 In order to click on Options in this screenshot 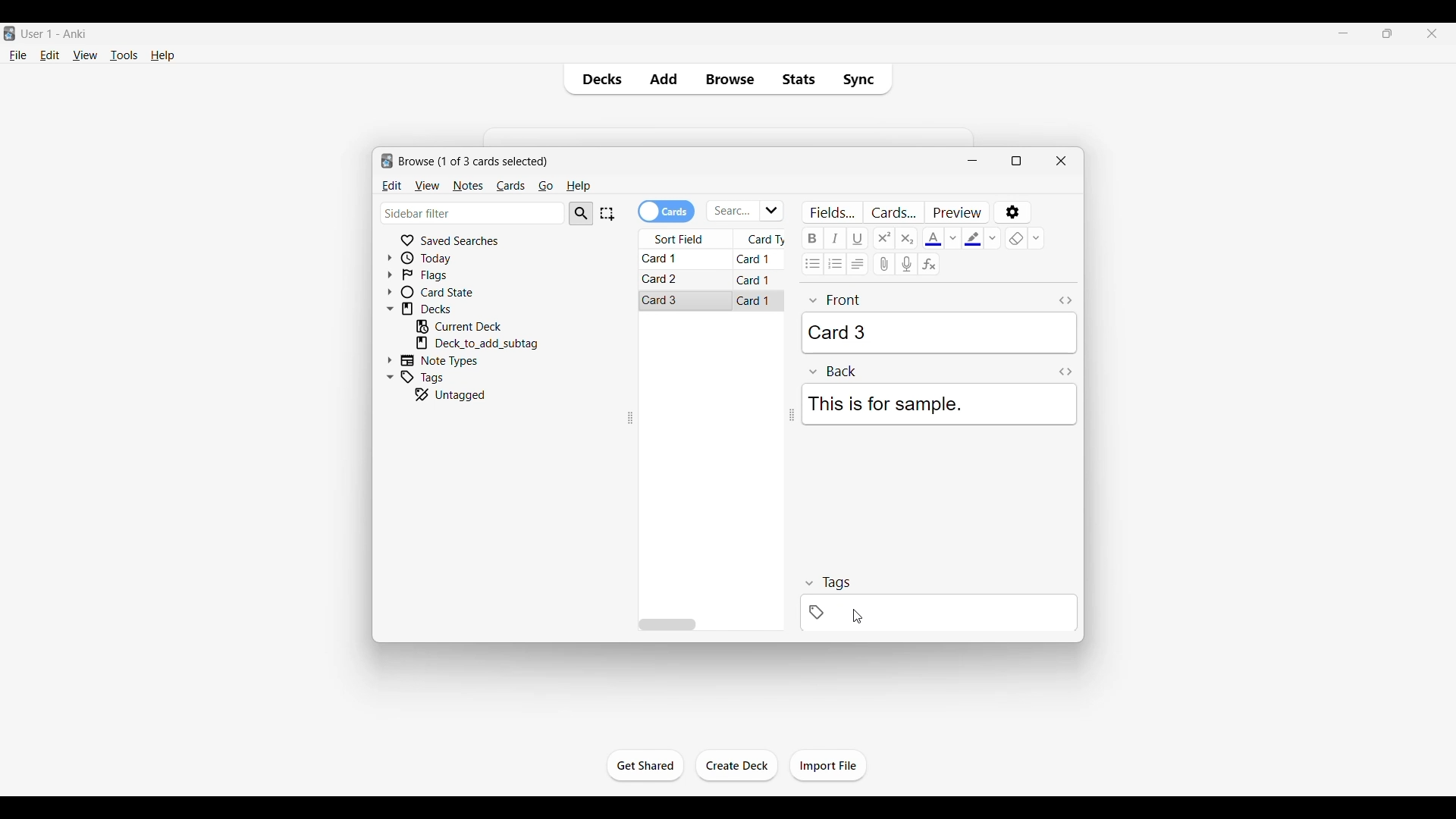, I will do `click(1014, 212)`.